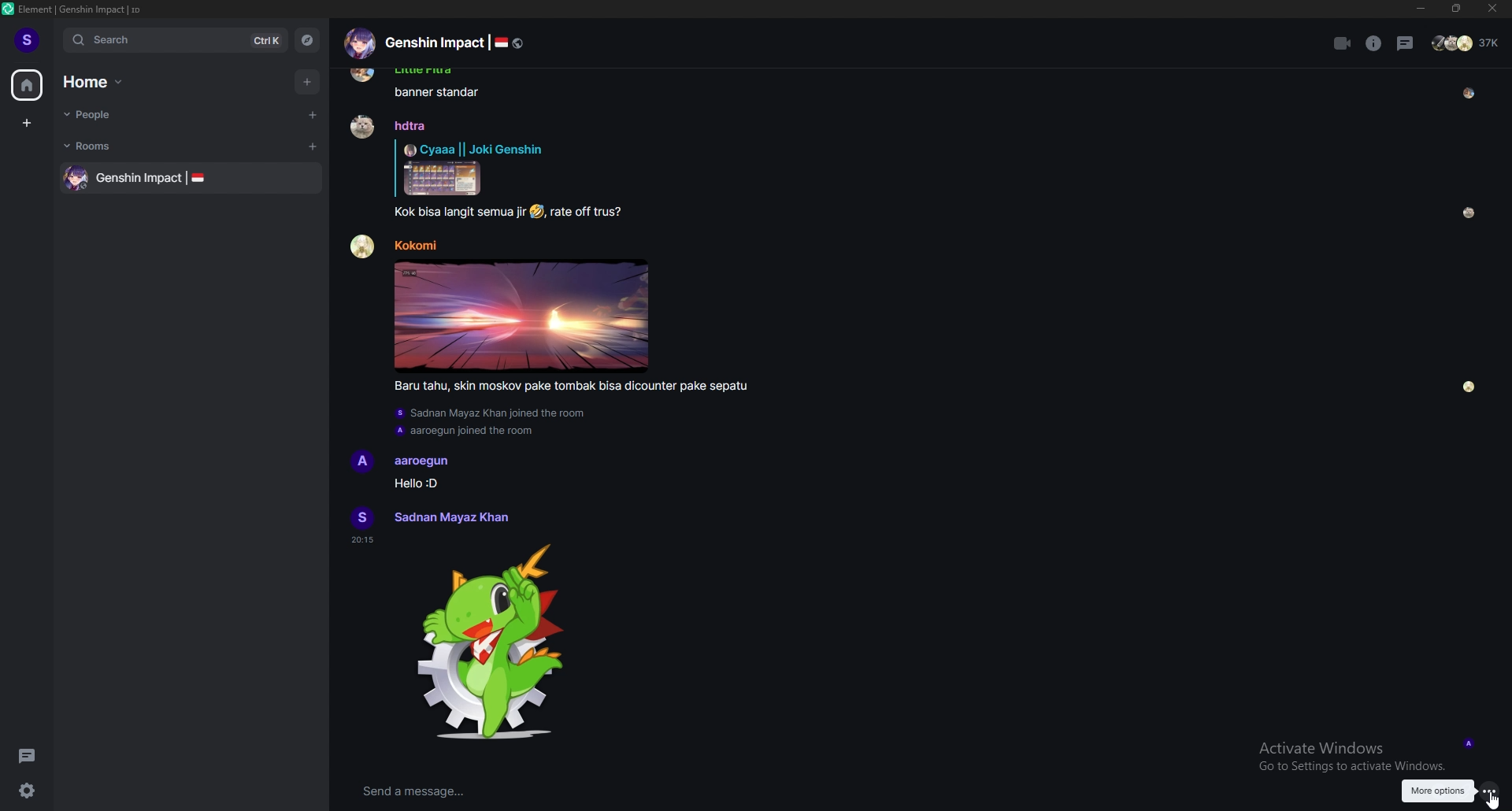 The height and width of the screenshot is (811, 1512). I want to click on Activate Windows
Go to Settings to activate Windows., so click(1352, 757).